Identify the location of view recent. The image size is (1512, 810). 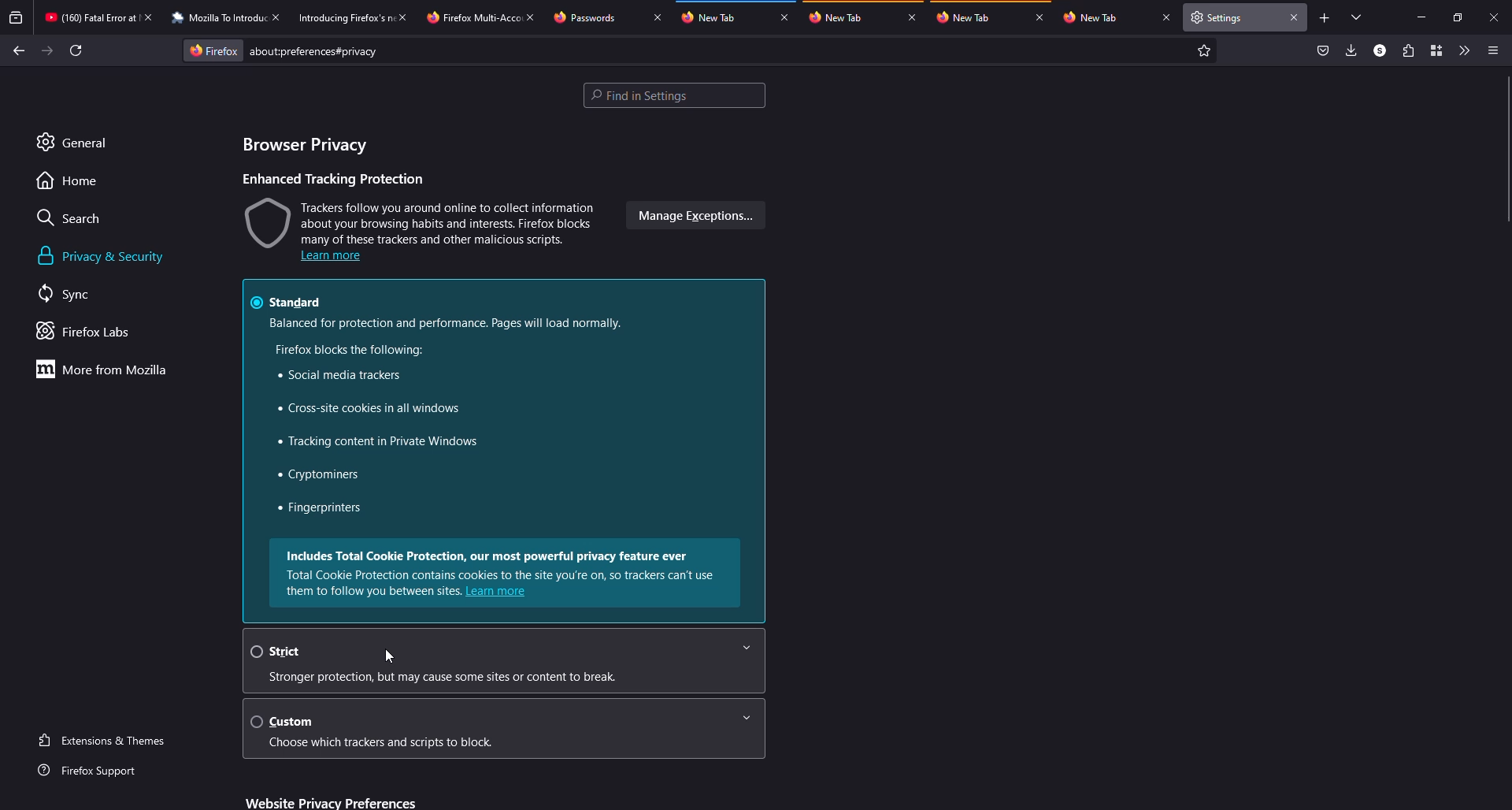
(17, 17).